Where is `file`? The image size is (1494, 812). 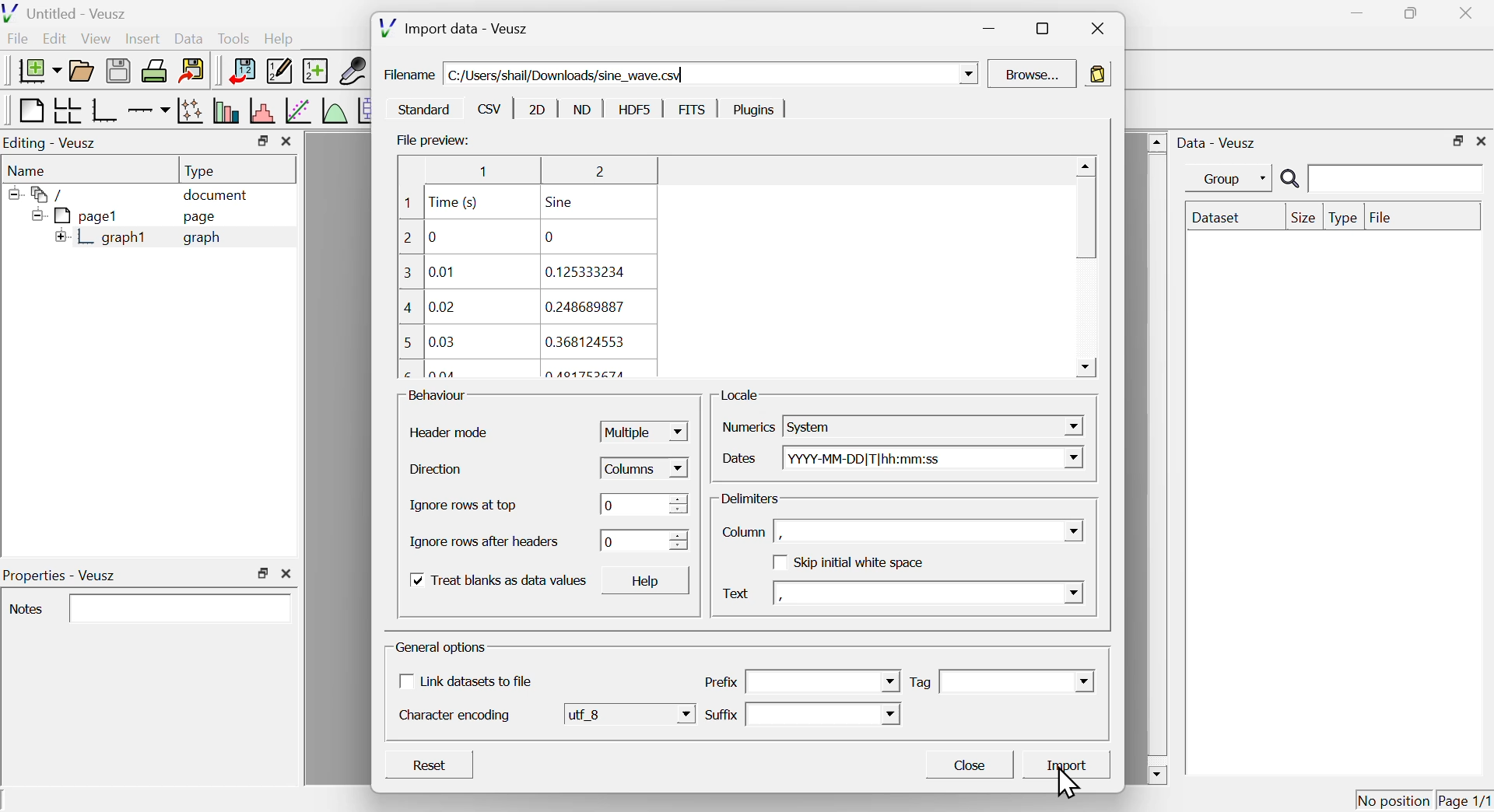 file is located at coordinates (19, 40).